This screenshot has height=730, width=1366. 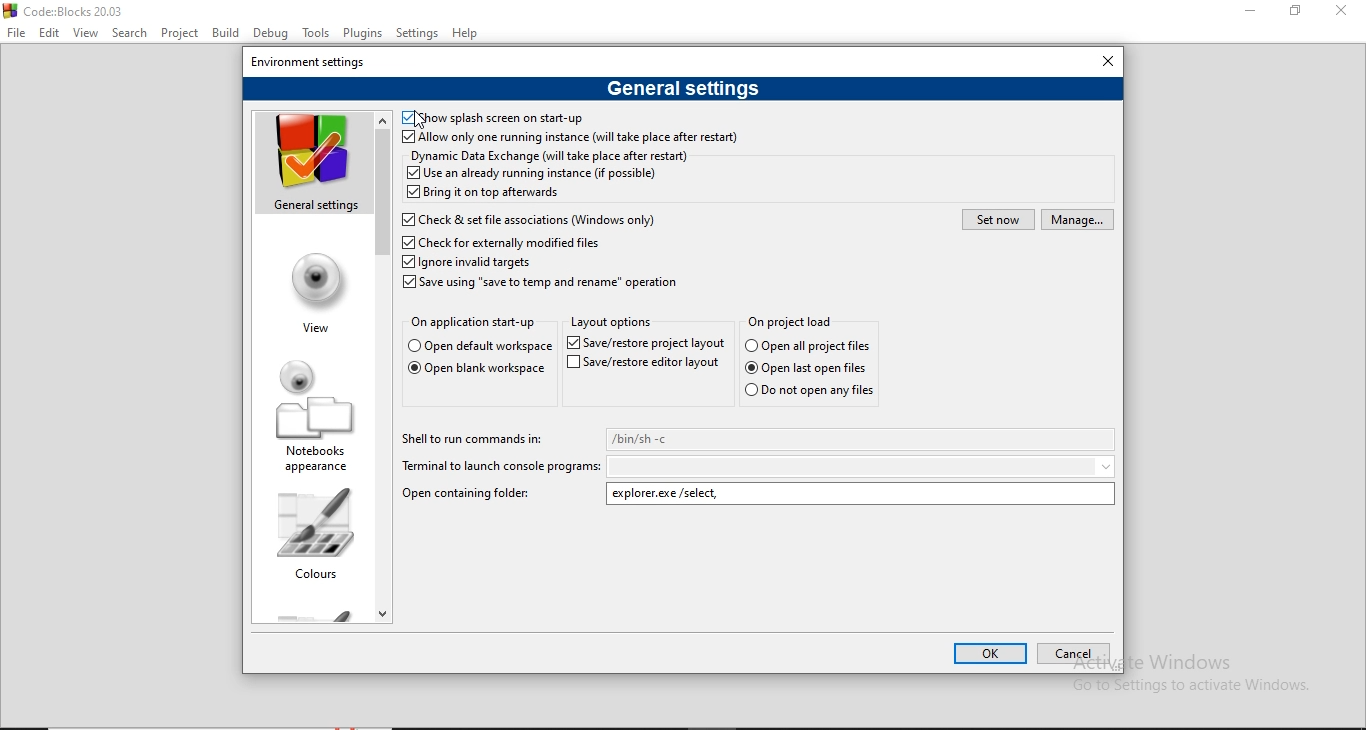 What do you see at coordinates (307, 534) in the screenshot?
I see `column` at bounding box center [307, 534].